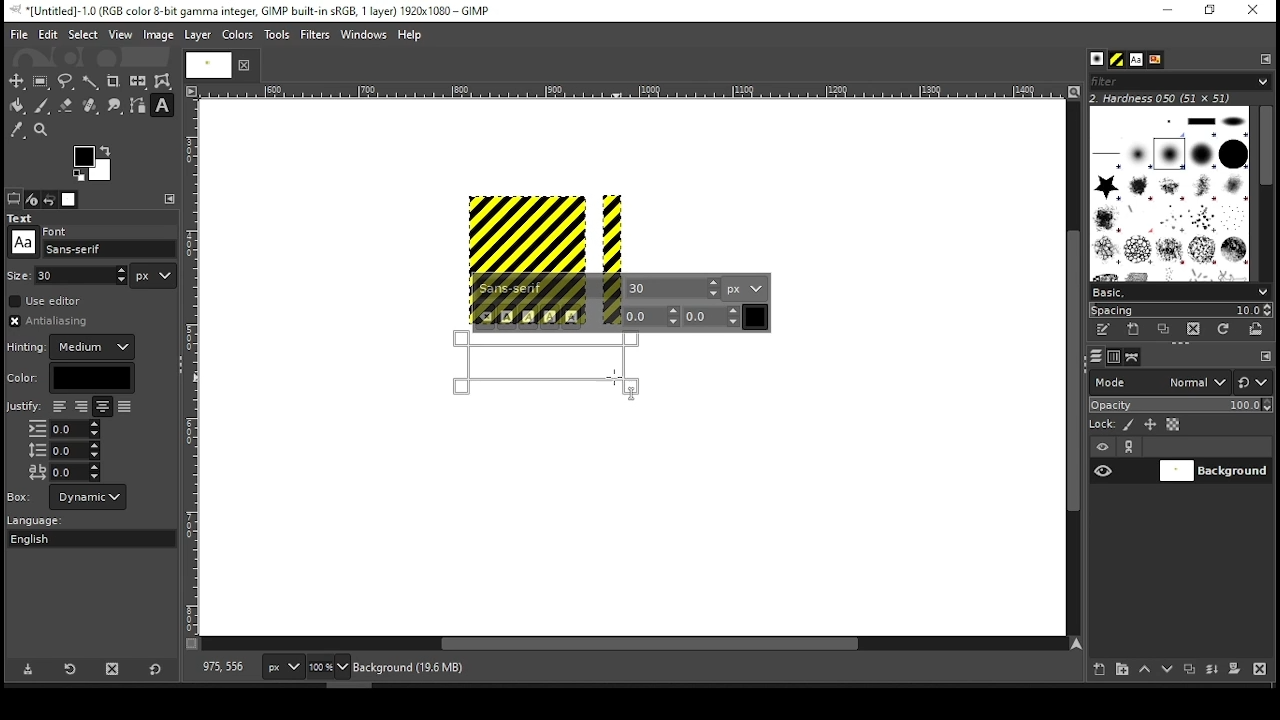 The width and height of the screenshot is (1280, 720). What do you see at coordinates (1145, 671) in the screenshot?
I see `move layer one step up` at bounding box center [1145, 671].